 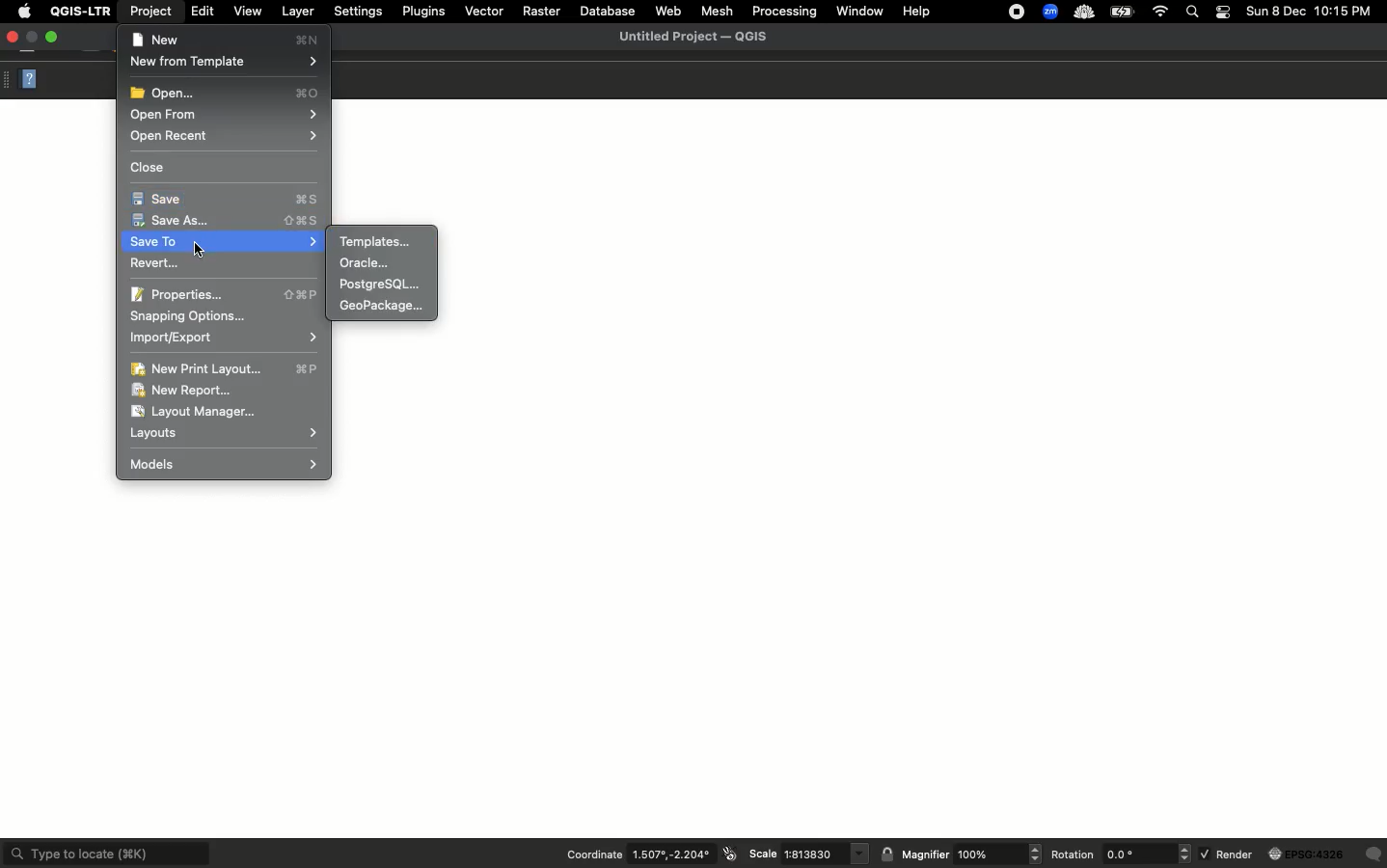 I want to click on Maximize, so click(x=56, y=38).